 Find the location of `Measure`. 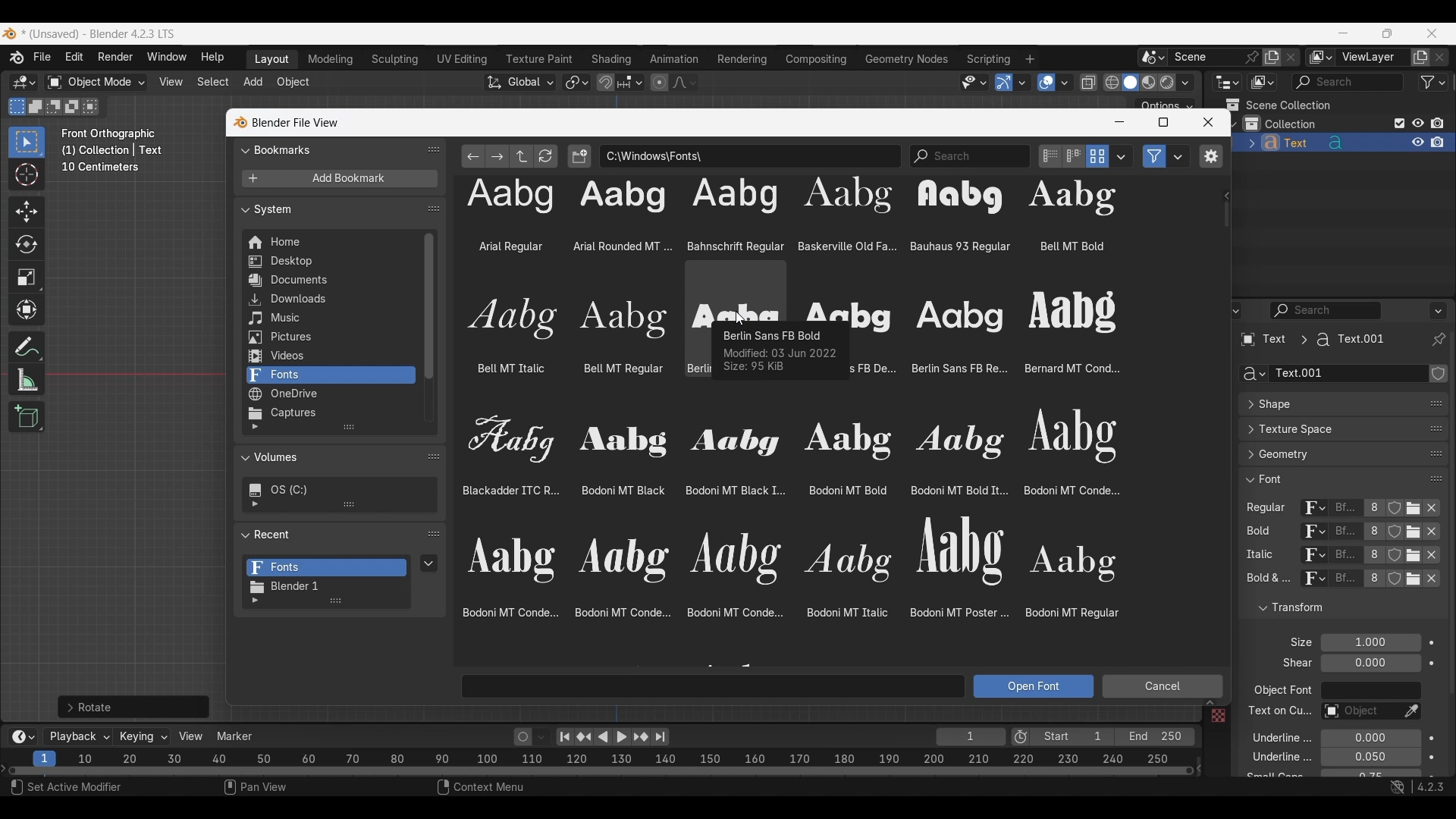

Measure is located at coordinates (27, 380).